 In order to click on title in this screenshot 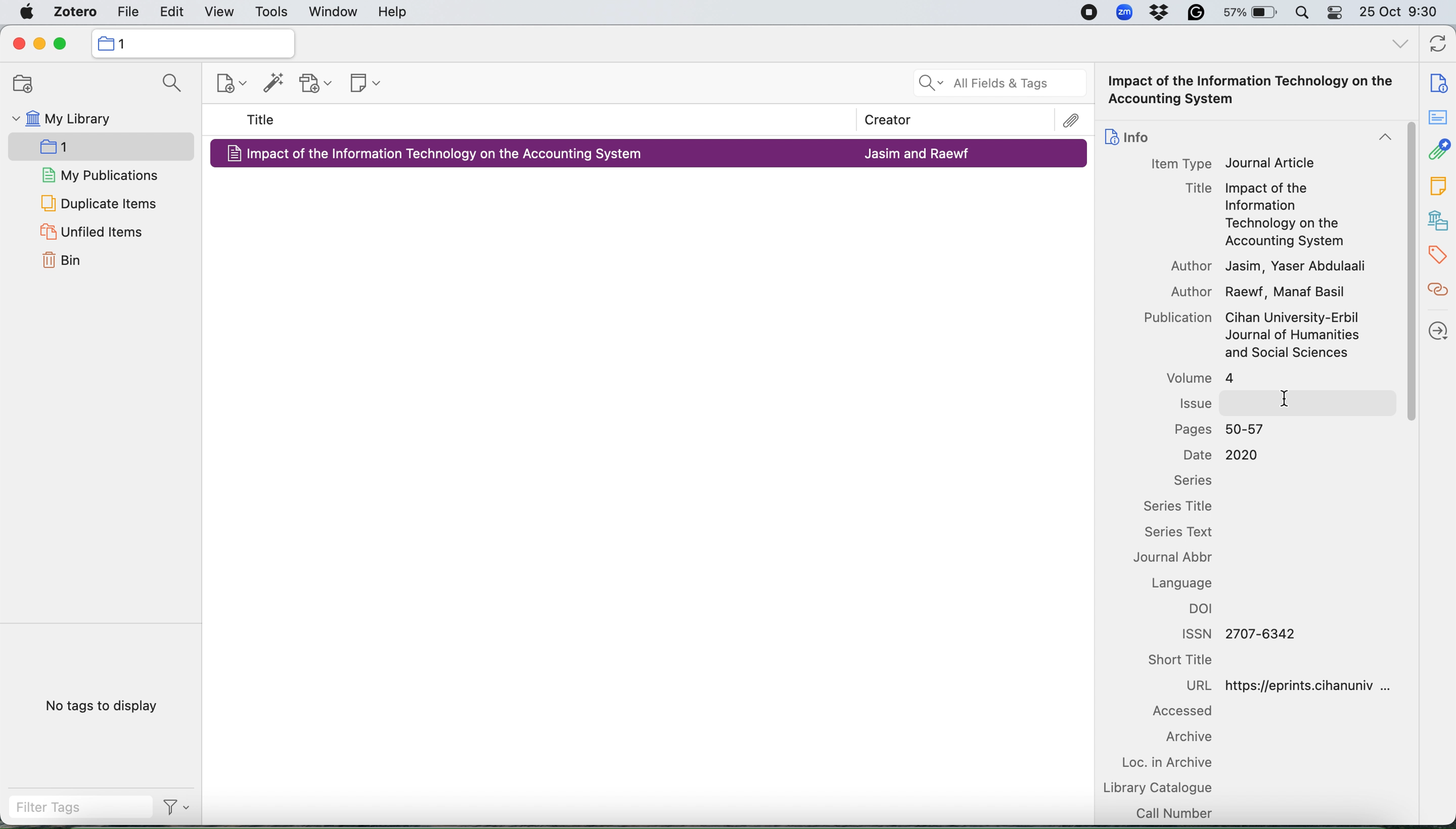, I will do `click(263, 120)`.